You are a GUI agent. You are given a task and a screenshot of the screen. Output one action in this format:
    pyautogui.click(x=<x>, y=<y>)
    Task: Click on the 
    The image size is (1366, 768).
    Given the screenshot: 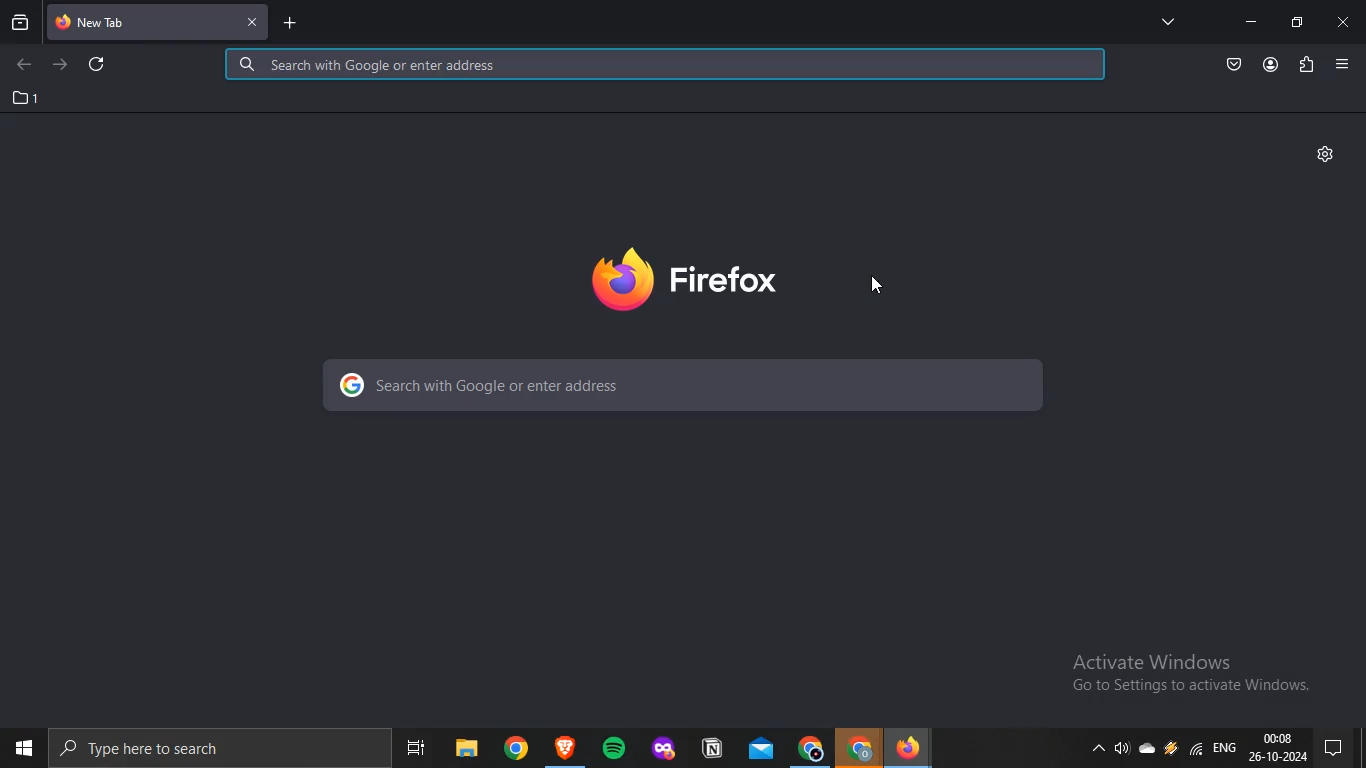 What is the action you would take?
    pyautogui.click(x=515, y=747)
    